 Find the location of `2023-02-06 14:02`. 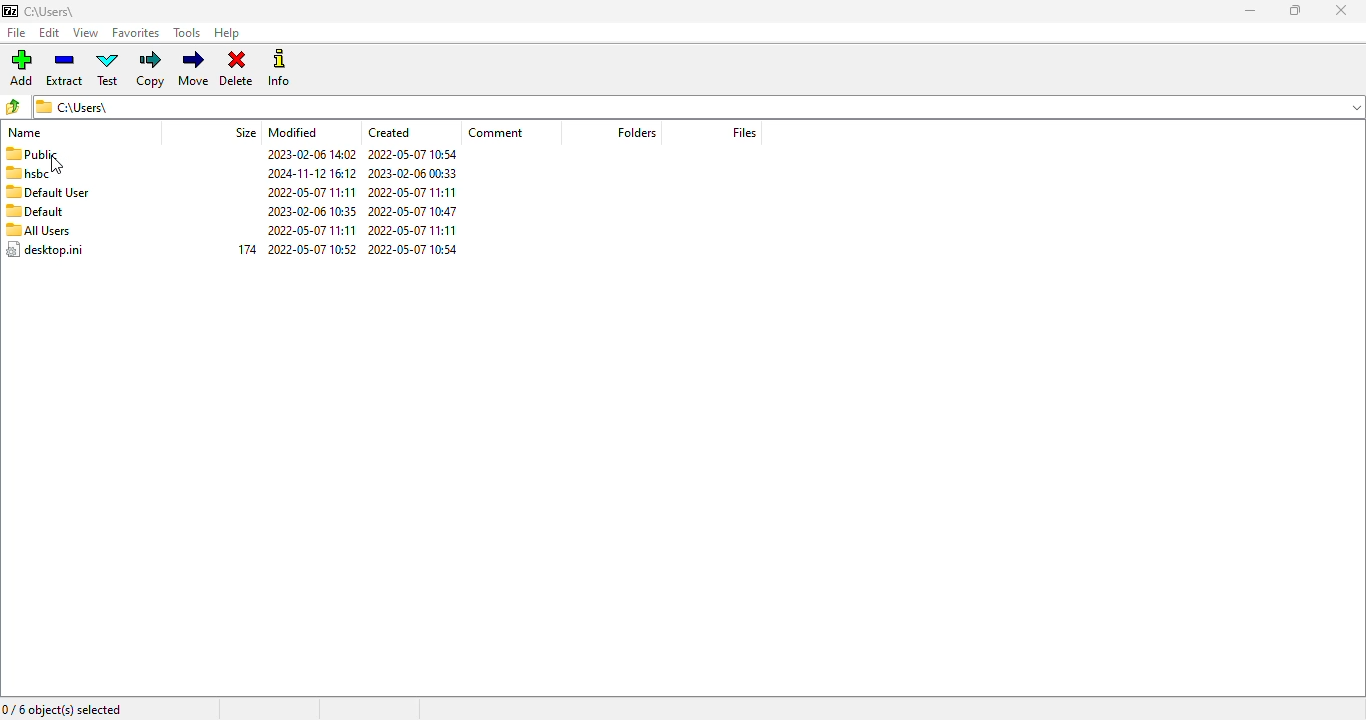

2023-02-06 14:02 is located at coordinates (306, 154).